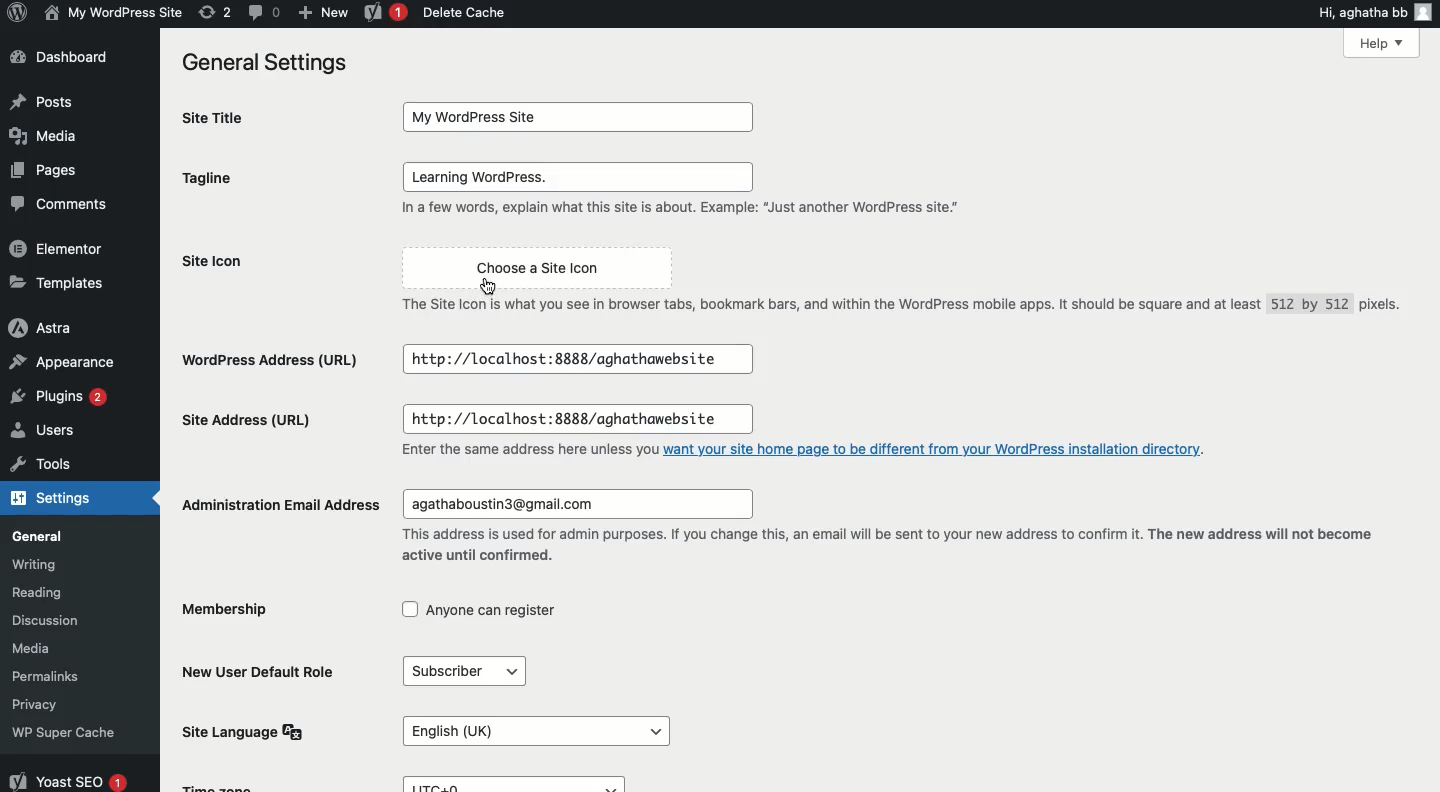 The width and height of the screenshot is (1440, 792). I want to click on want your site home page to be different from your WordPress installation directory., so click(943, 449).